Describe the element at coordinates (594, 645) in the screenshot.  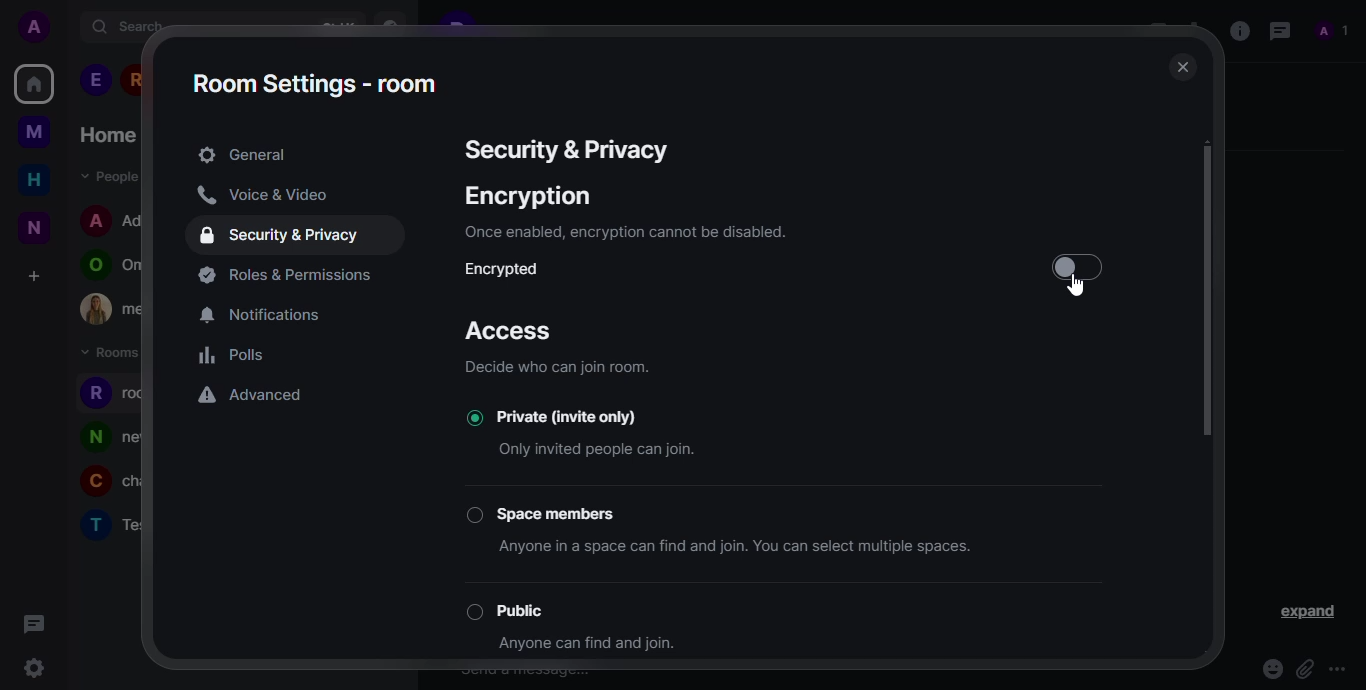
I see `info- anyone can find and join` at that location.